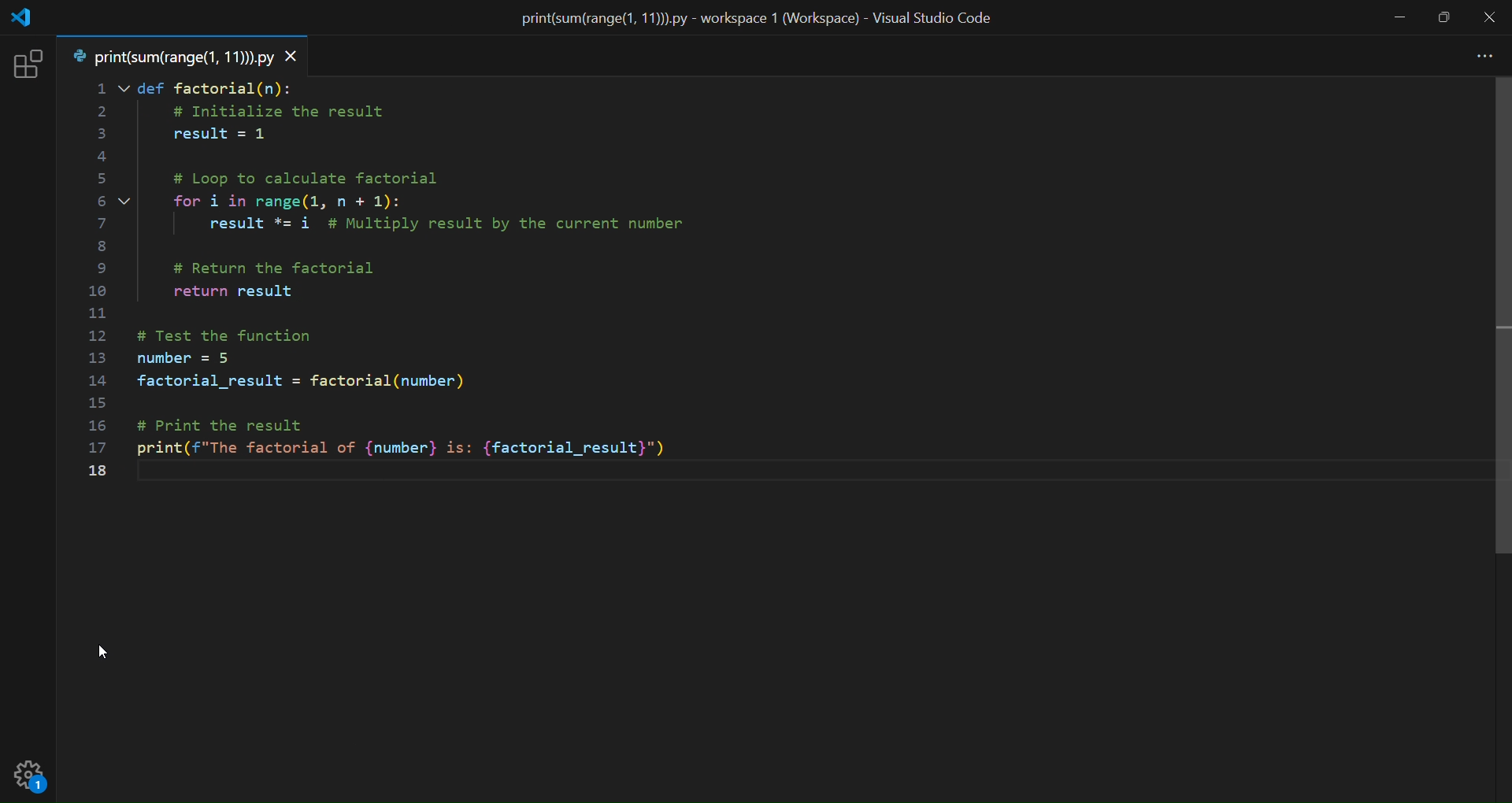 The height and width of the screenshot is (803, 1512). What do you see at coordinates (23, 68) in the screenshot?
I see `extension` at bounding box center [23, 68].